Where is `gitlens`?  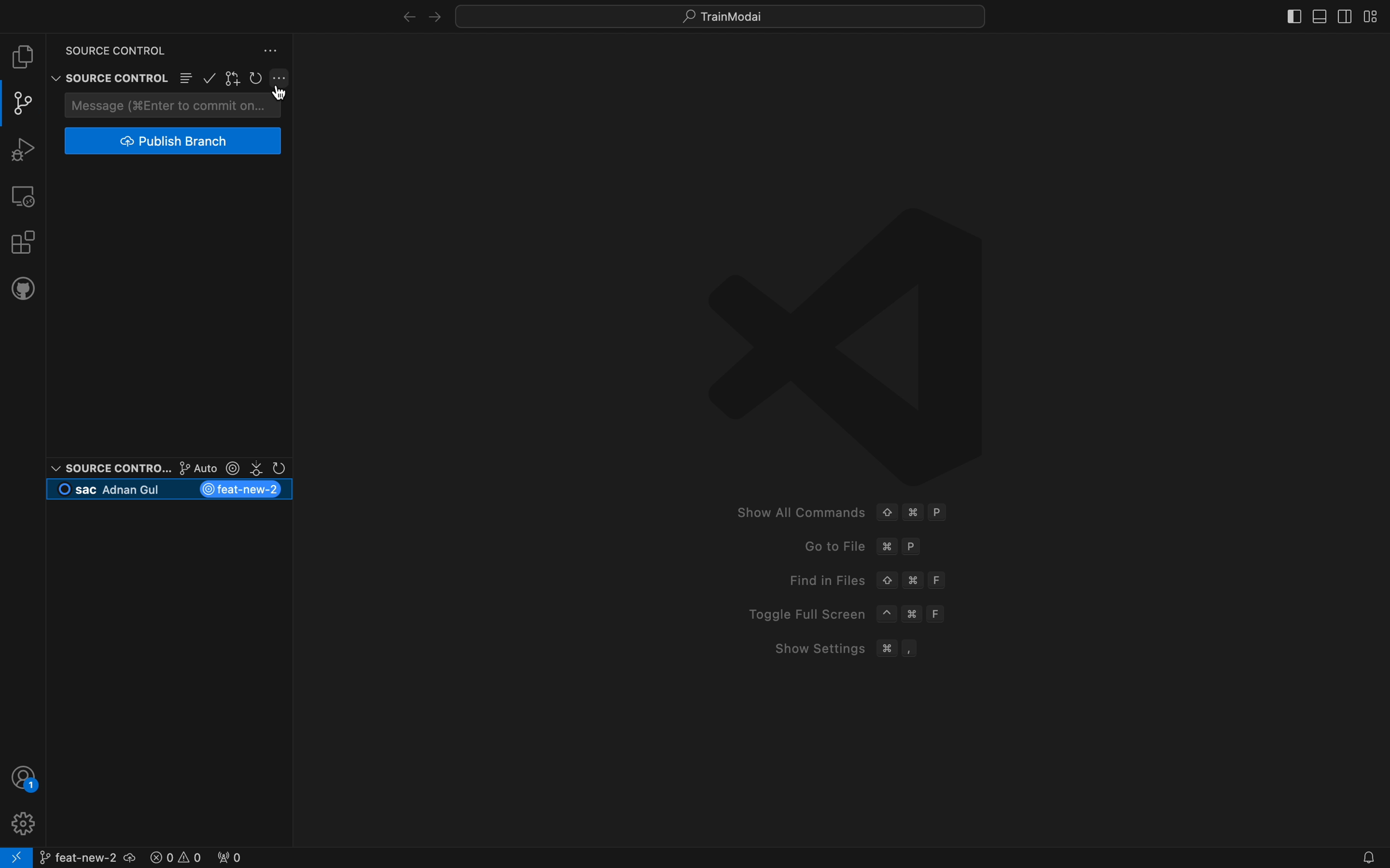 gitlens is located at coordinates (234, 79).